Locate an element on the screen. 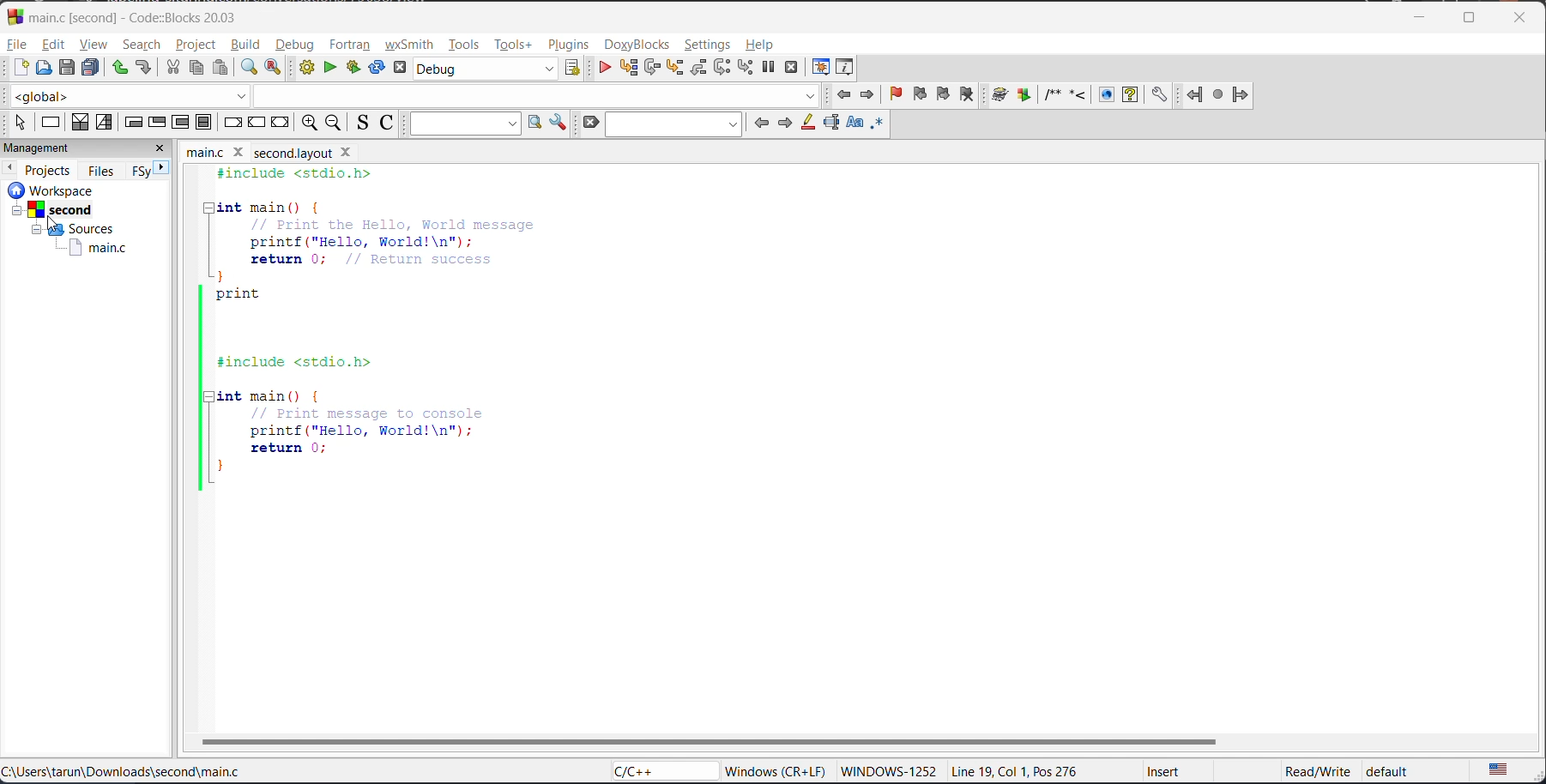  copy is located at coordinates (195, 67).